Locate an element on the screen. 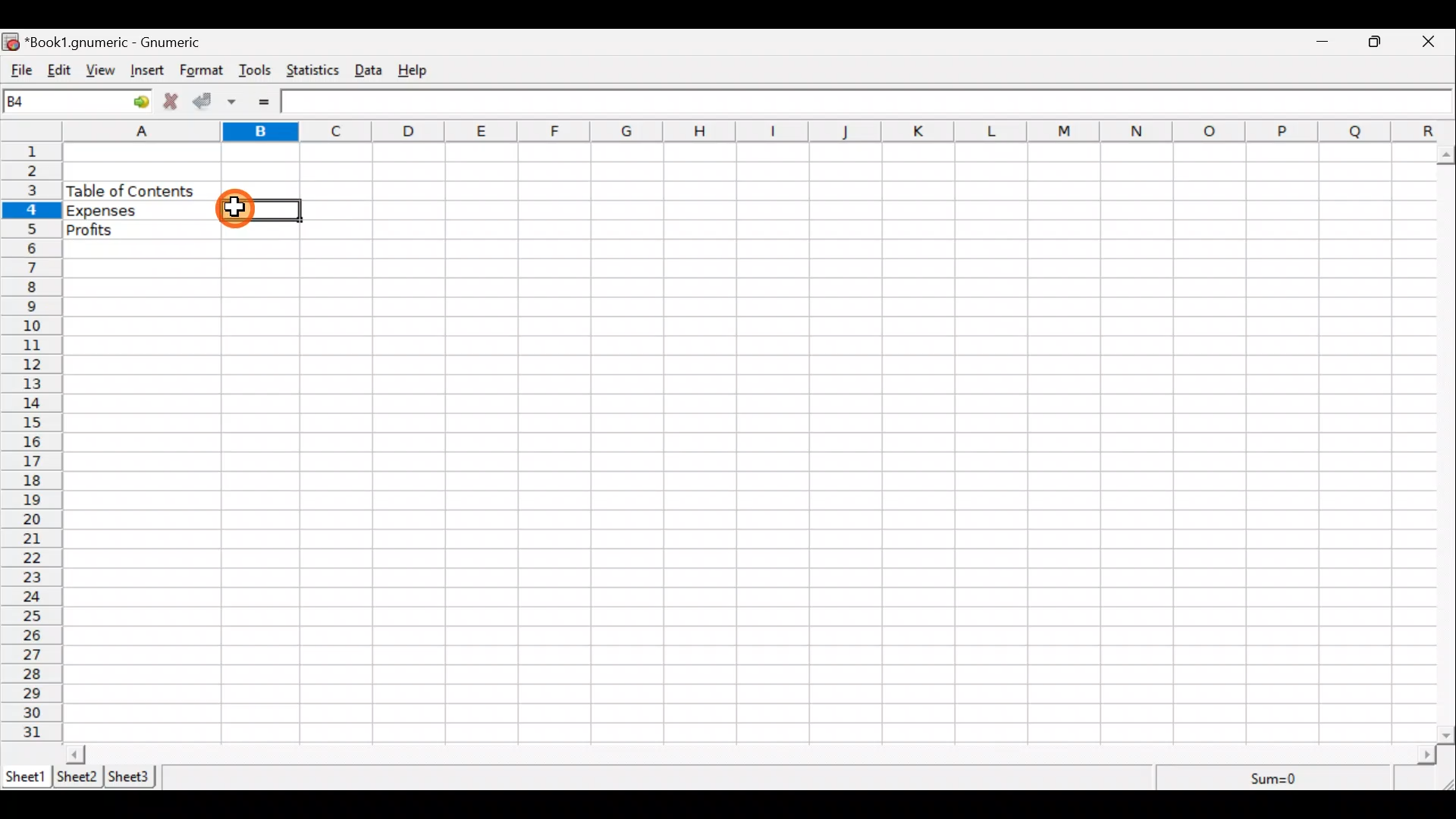  cursor is located at coordinates (237, 206).